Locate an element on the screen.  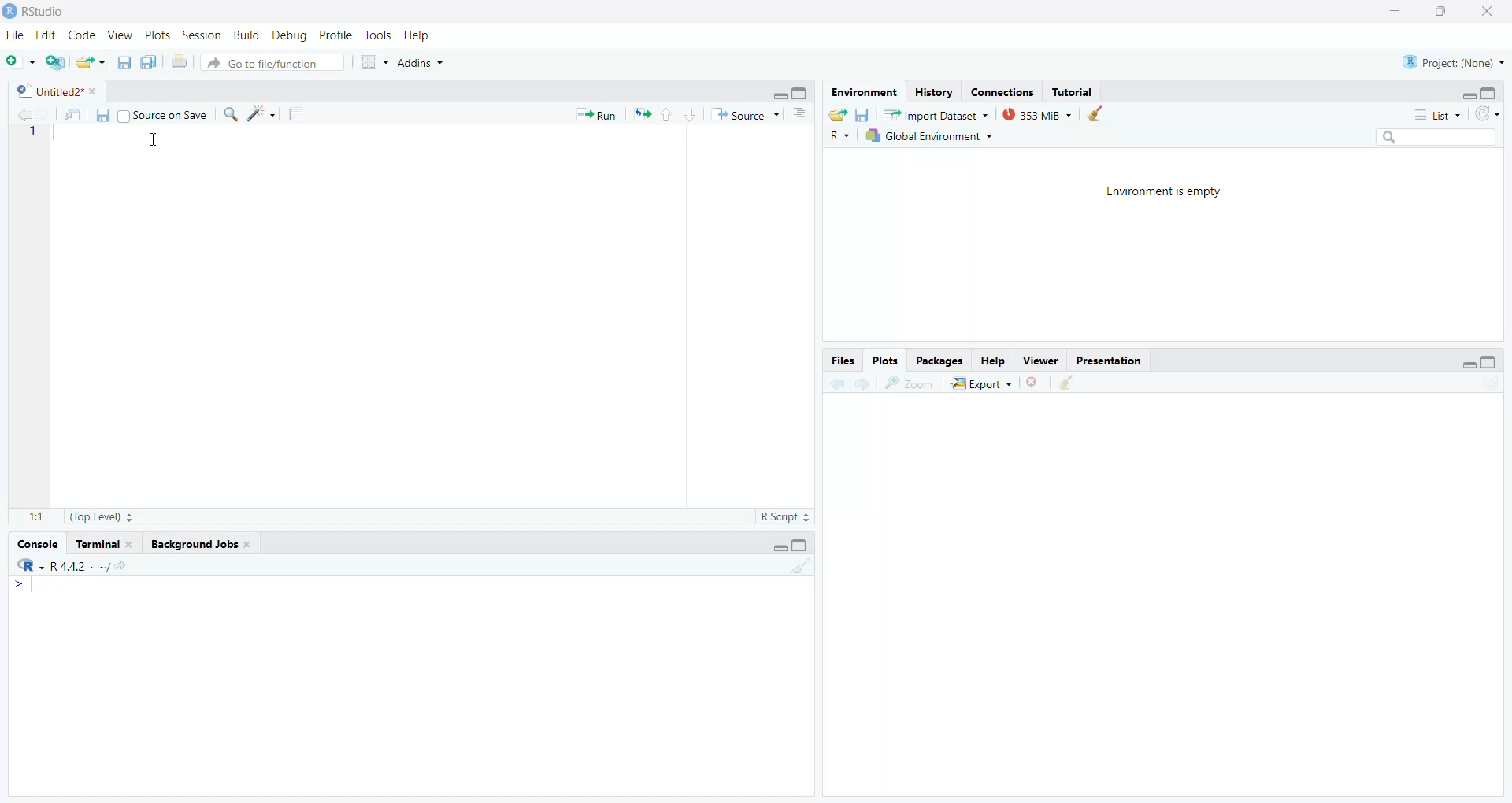
 Export  is located at coordinates (980, 385).